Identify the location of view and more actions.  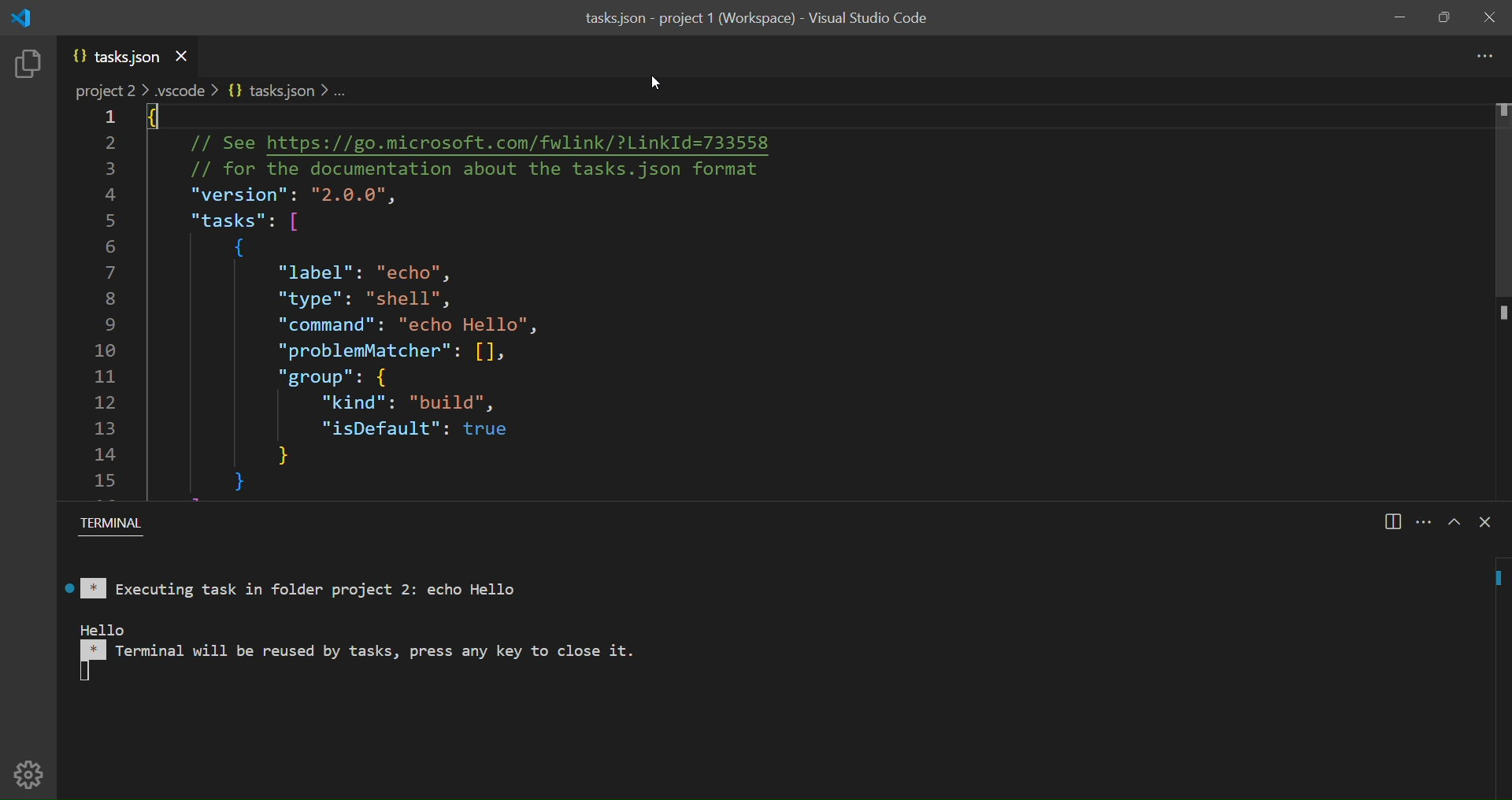
(1425, 521).